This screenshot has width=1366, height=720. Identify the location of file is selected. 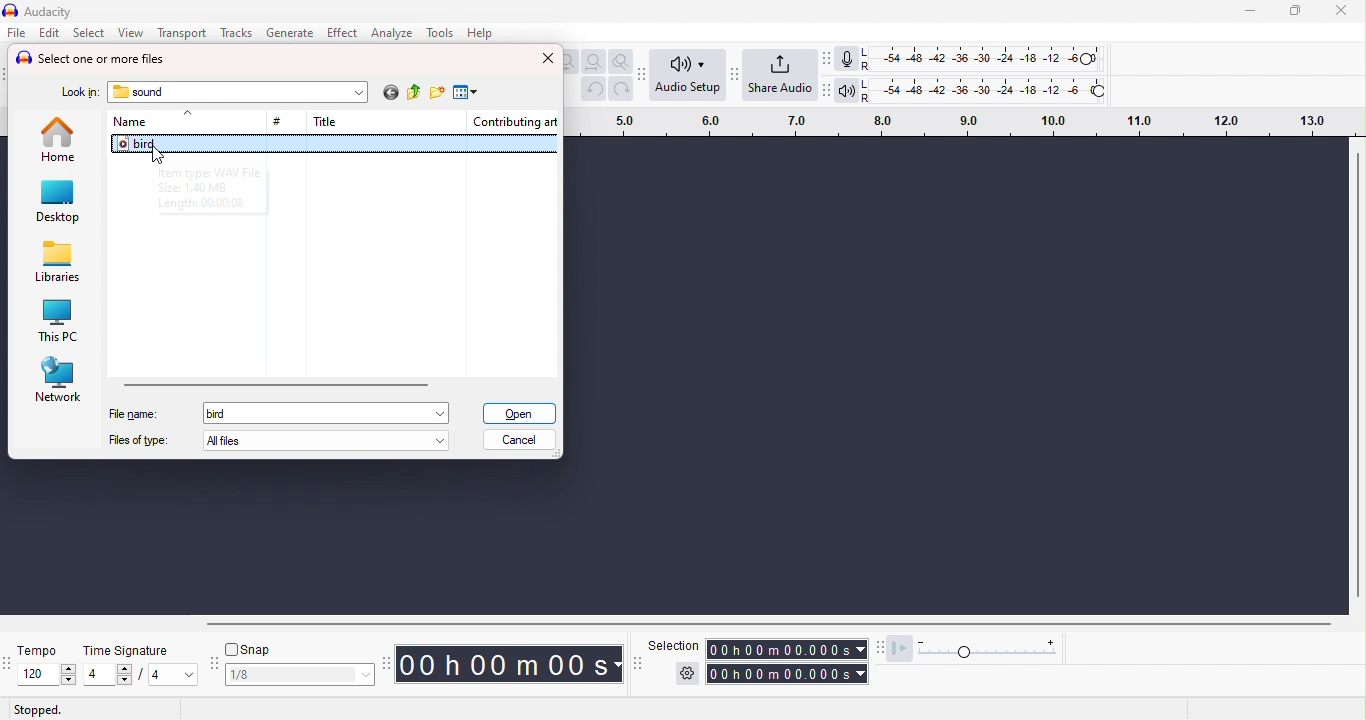
(335, 146).